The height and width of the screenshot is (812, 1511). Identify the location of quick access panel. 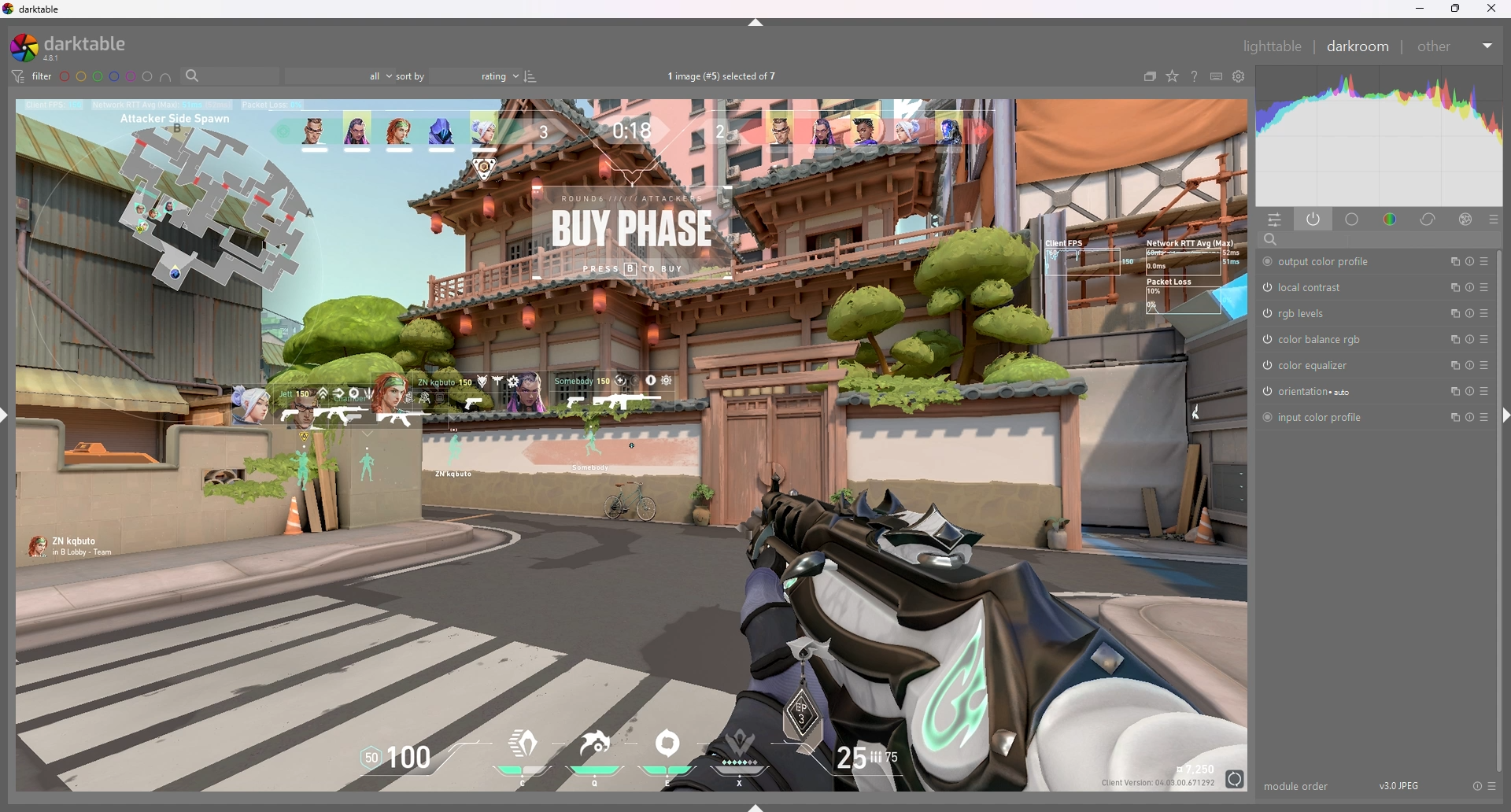
(1275, 220).